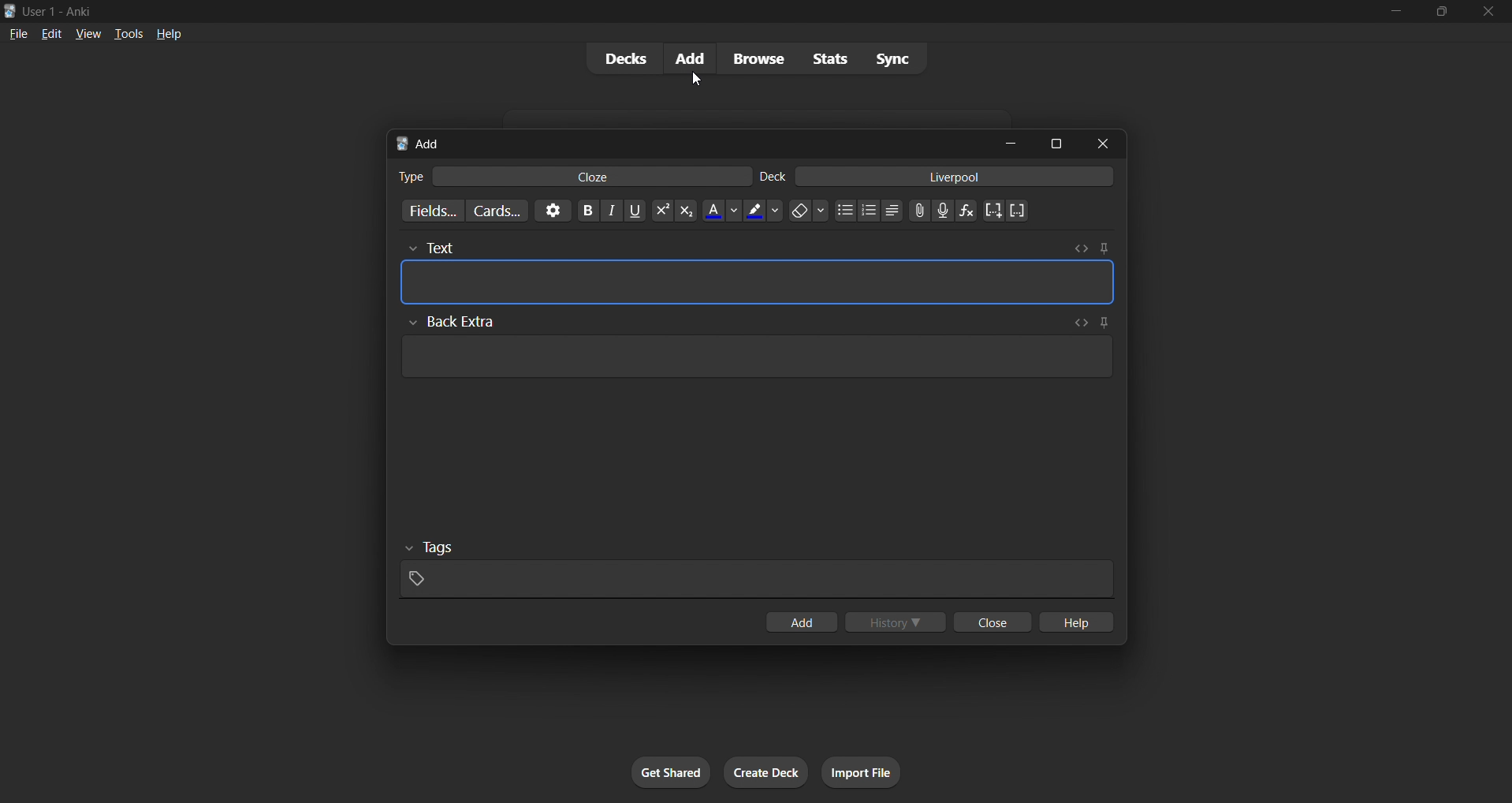 This screenshot has height=803, width=1512. What do you see at coordinates (754, 58) in the screenshot?
I see `browse` at bounding box center [754, 58].